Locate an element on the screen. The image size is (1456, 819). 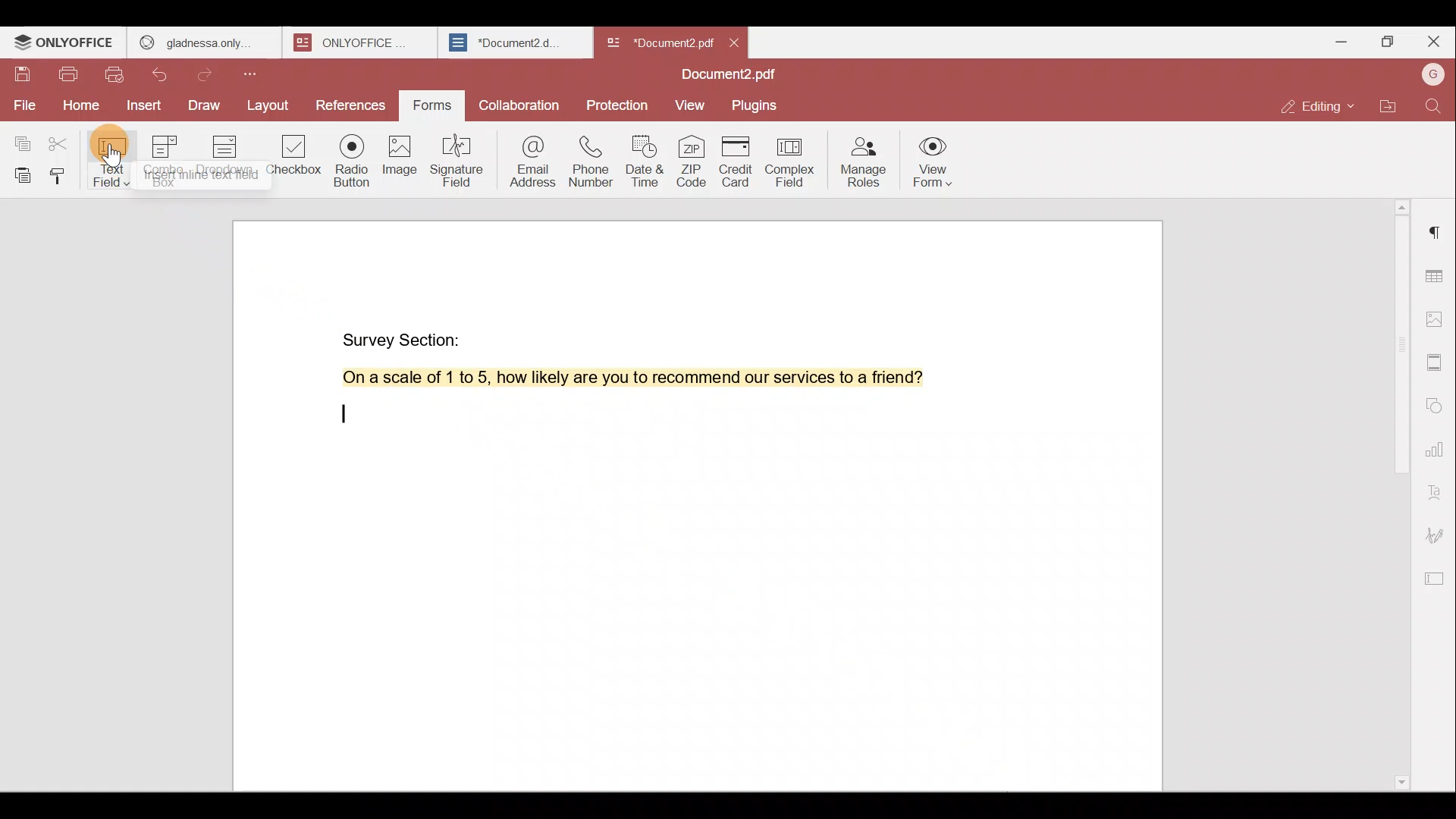
ZIP code is located at coordinates (693, 160).